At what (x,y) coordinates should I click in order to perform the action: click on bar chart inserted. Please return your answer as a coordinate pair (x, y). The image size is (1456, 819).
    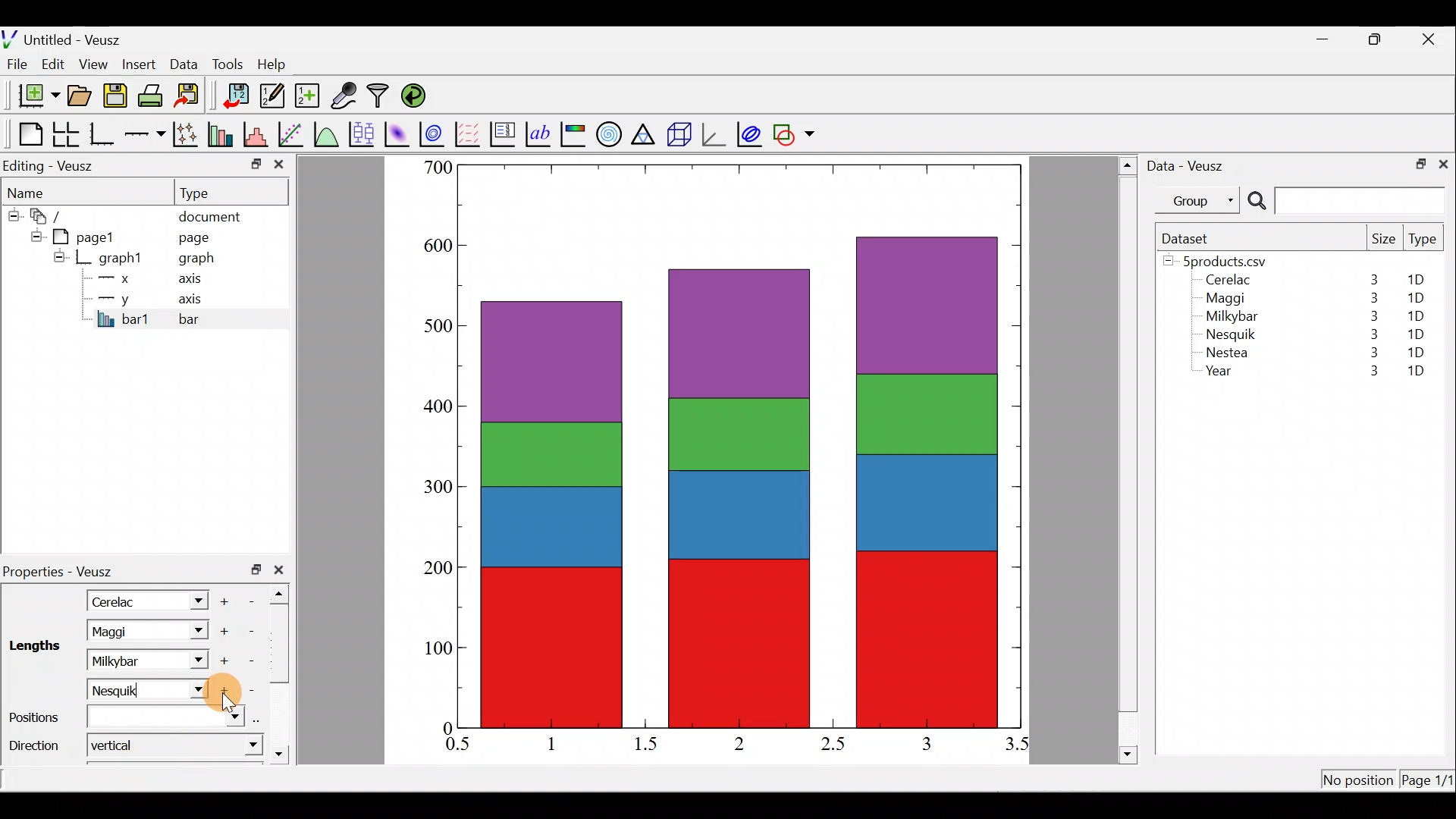
    Looking at the image, I should click on (741, 444).